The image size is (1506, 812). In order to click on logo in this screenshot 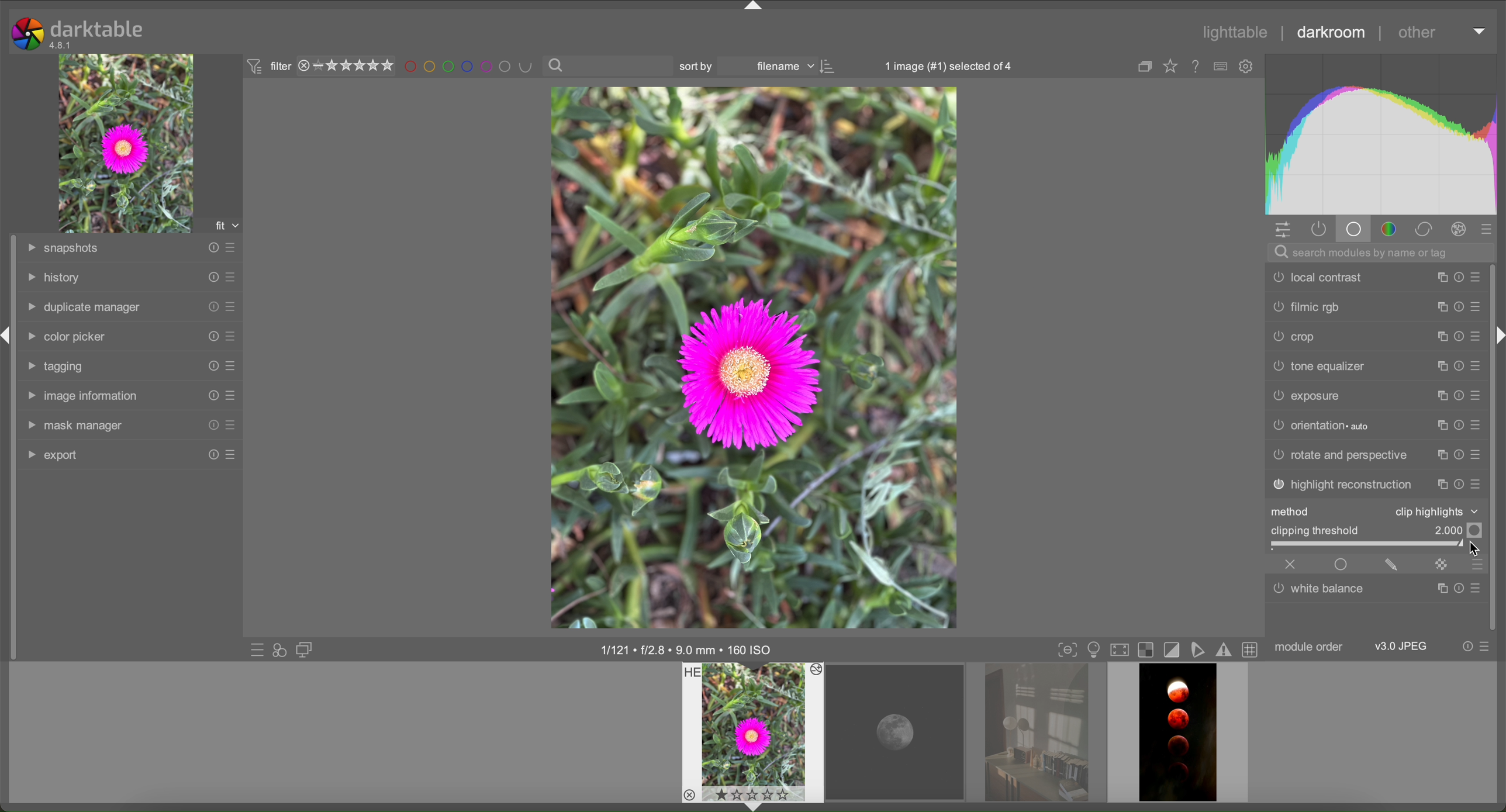, I will do `click(27, 34)`.